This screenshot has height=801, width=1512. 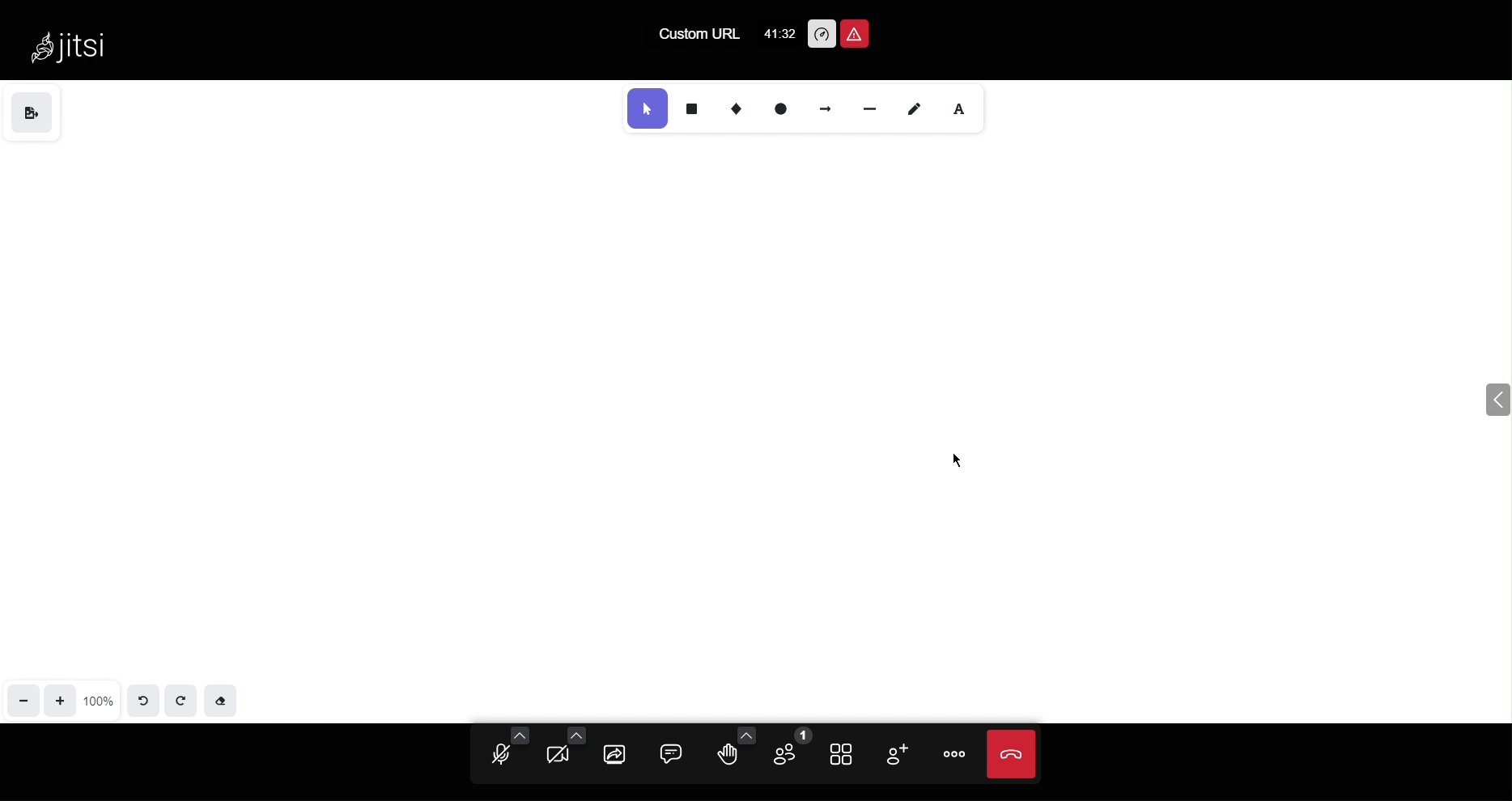 What do you see at coordinates (24, 701) in the screenshot?
I see `Zoom out` at bounding box center [24, 701].